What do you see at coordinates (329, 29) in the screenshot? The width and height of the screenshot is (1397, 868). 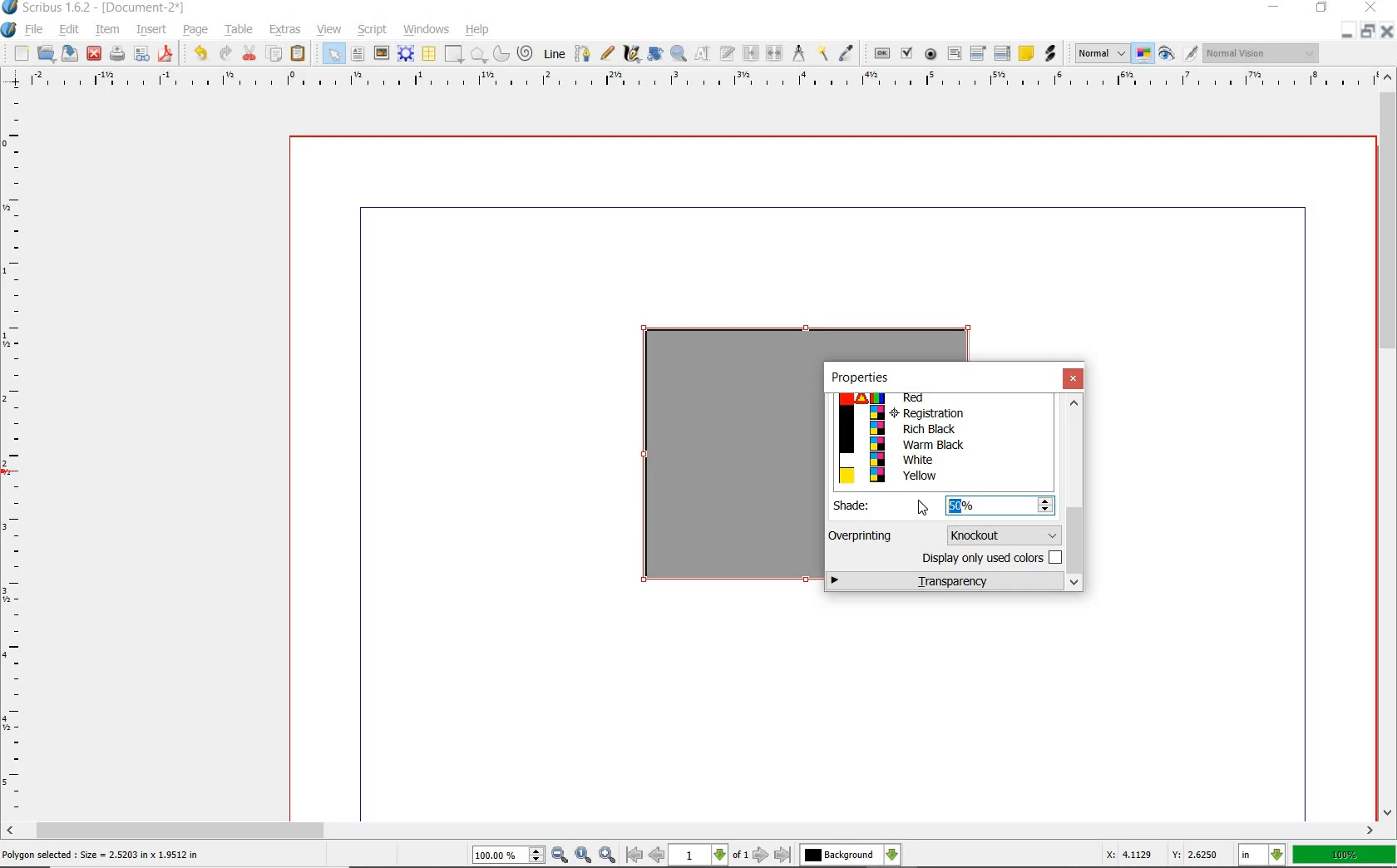 I see `view` at bounding box center [329, 29].